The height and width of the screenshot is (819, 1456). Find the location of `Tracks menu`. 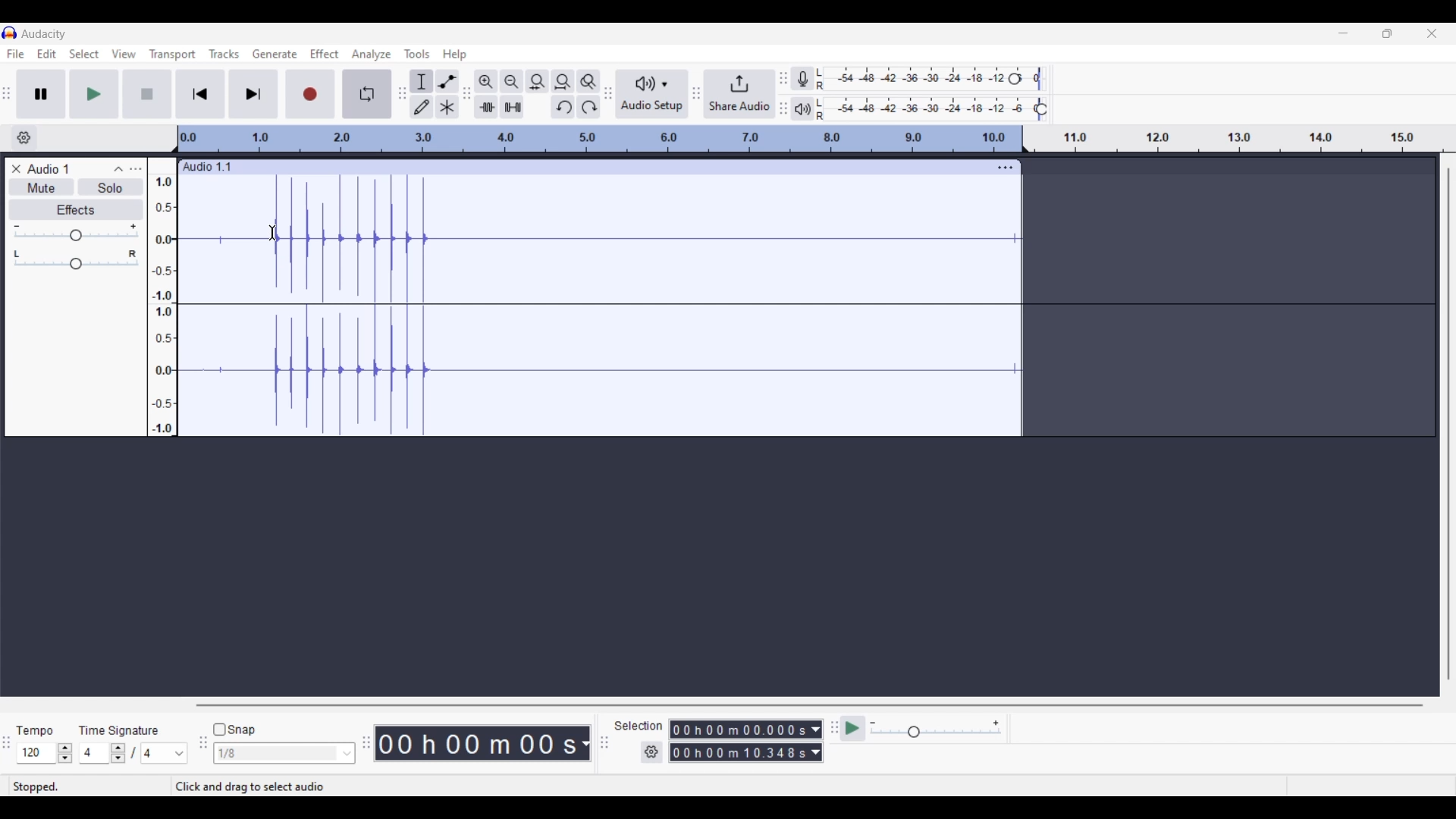

Tracks menu is located at coordinates (224, 54).